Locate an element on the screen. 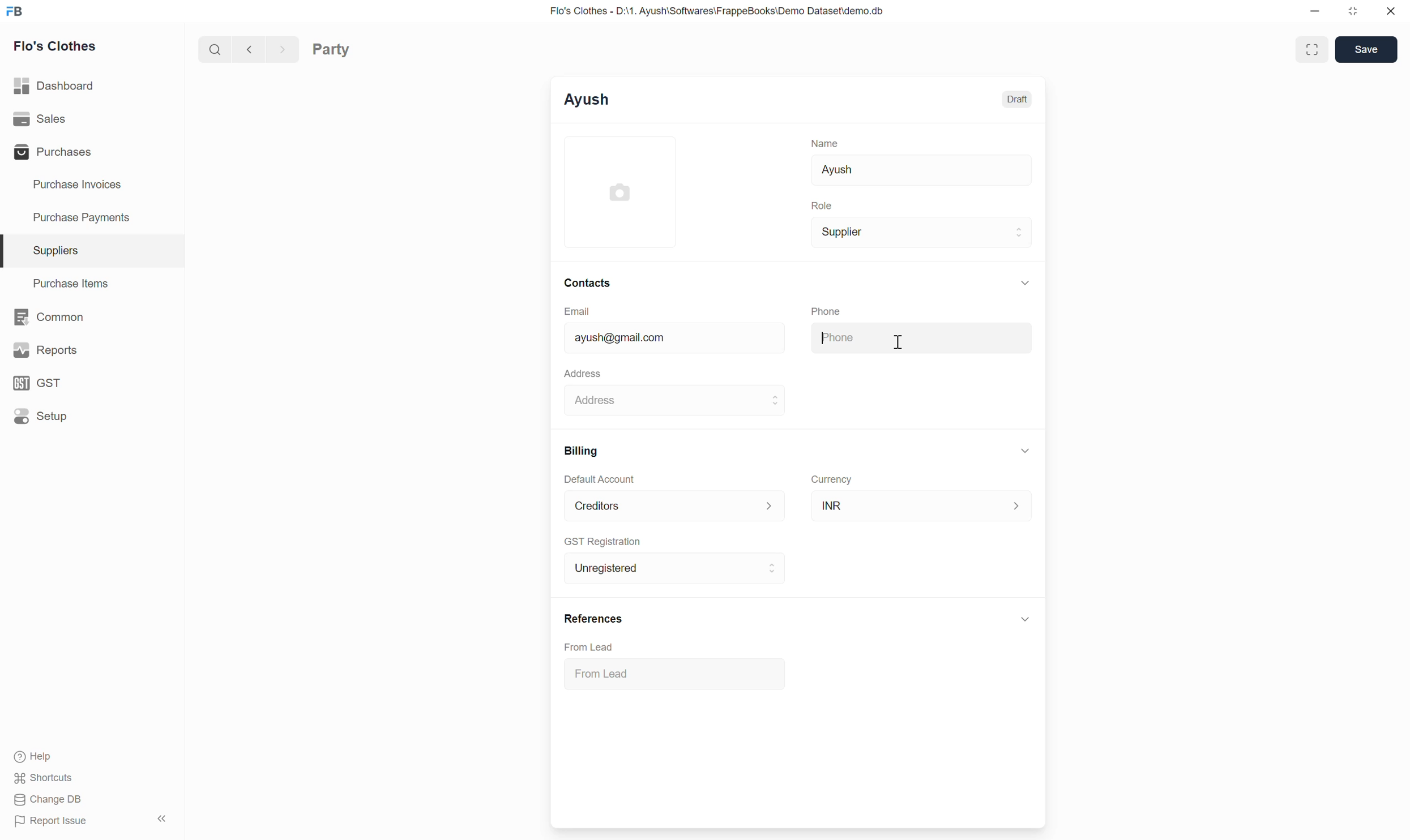 The image size is (1410, 840). Purchase Items is located at coordinates (92, 284).